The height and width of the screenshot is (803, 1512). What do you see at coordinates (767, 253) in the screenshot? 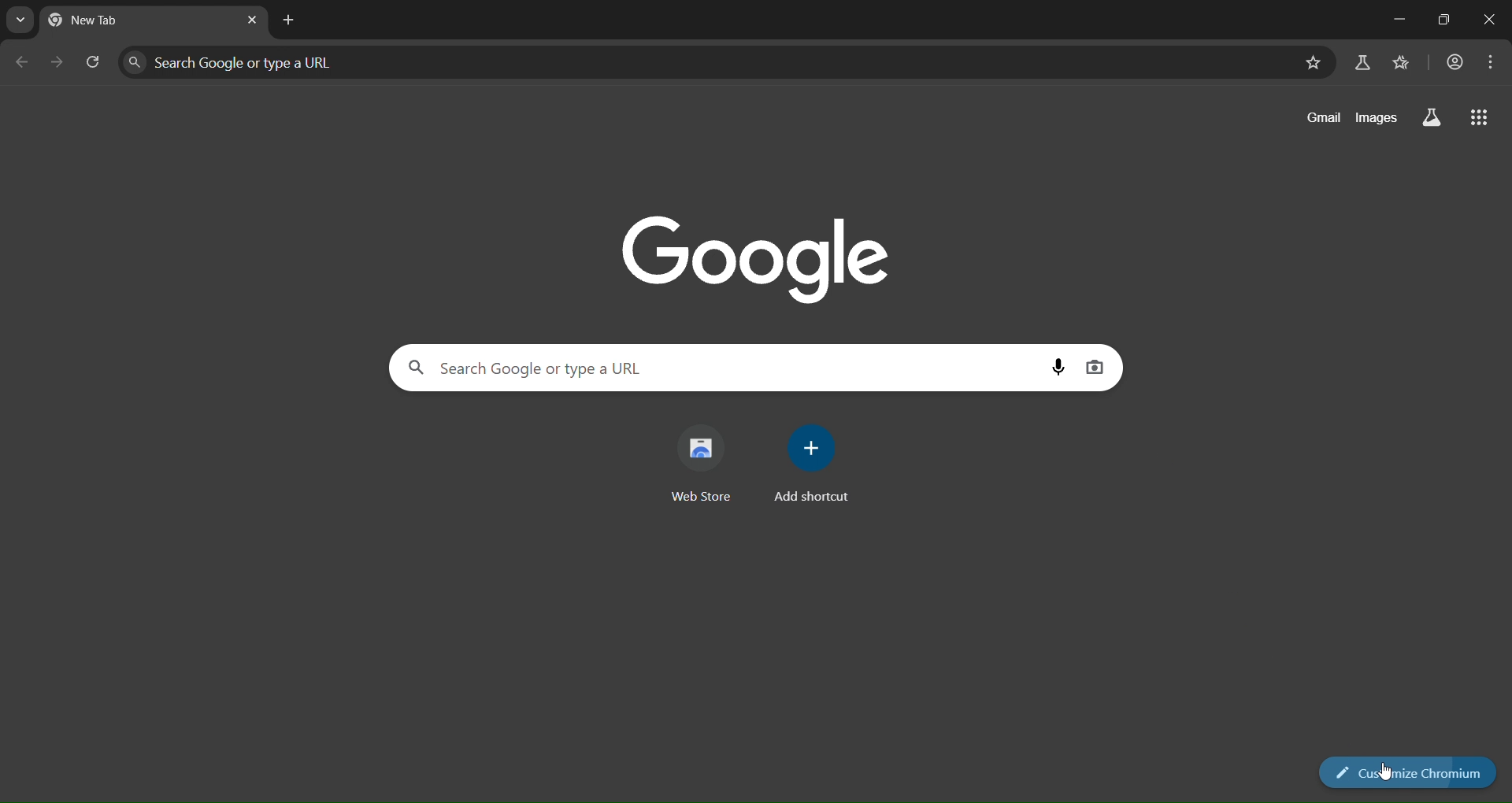
I see `Google` at bounding box center [767, 253].